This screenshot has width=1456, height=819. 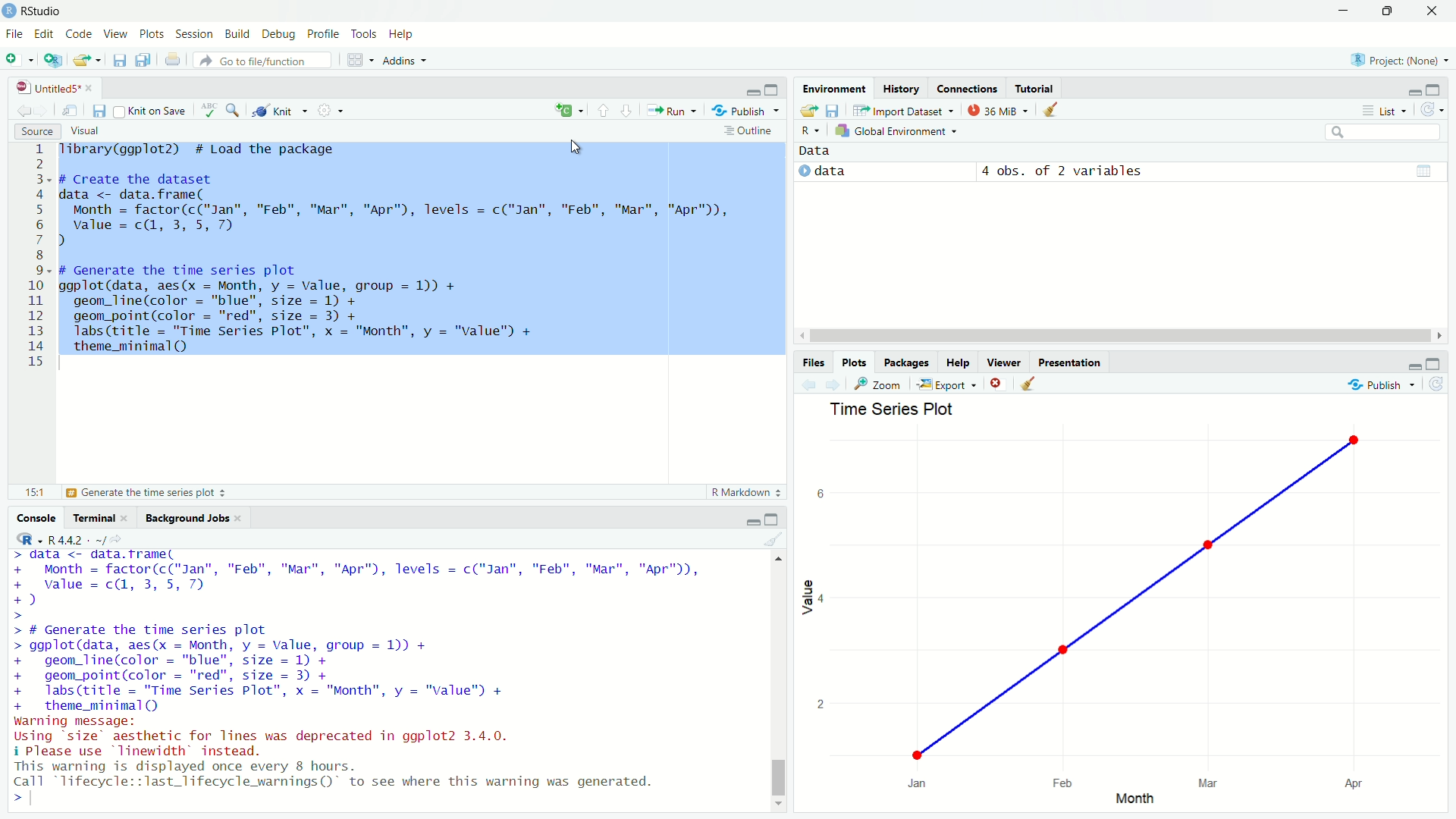 What do you see at coordinates (17, 111) in the screenshot?
I see `go back to previous source location` at bounding box center [17, 111].